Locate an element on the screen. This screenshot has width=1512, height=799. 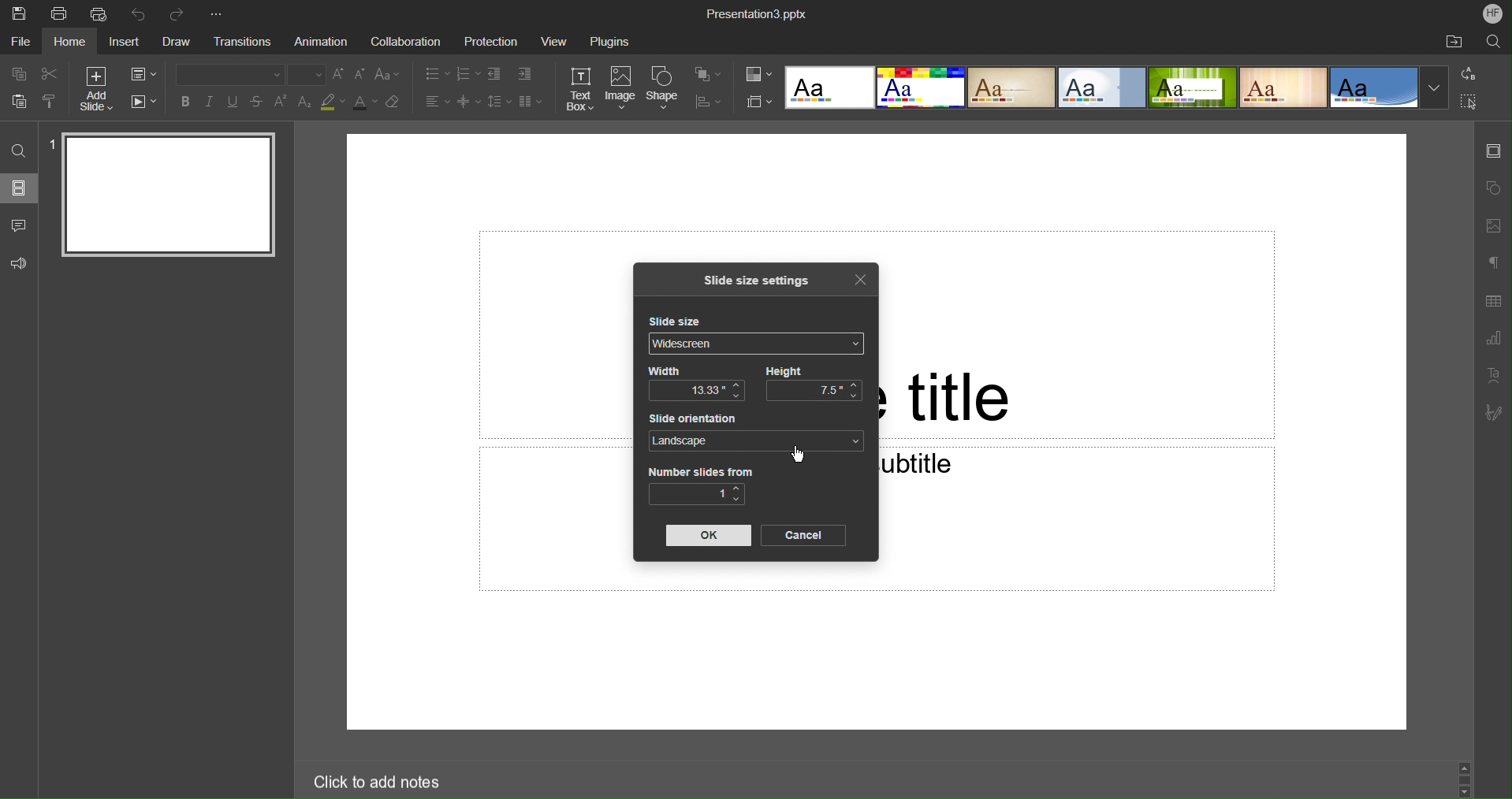
Home is located at coordinates (71, 43).